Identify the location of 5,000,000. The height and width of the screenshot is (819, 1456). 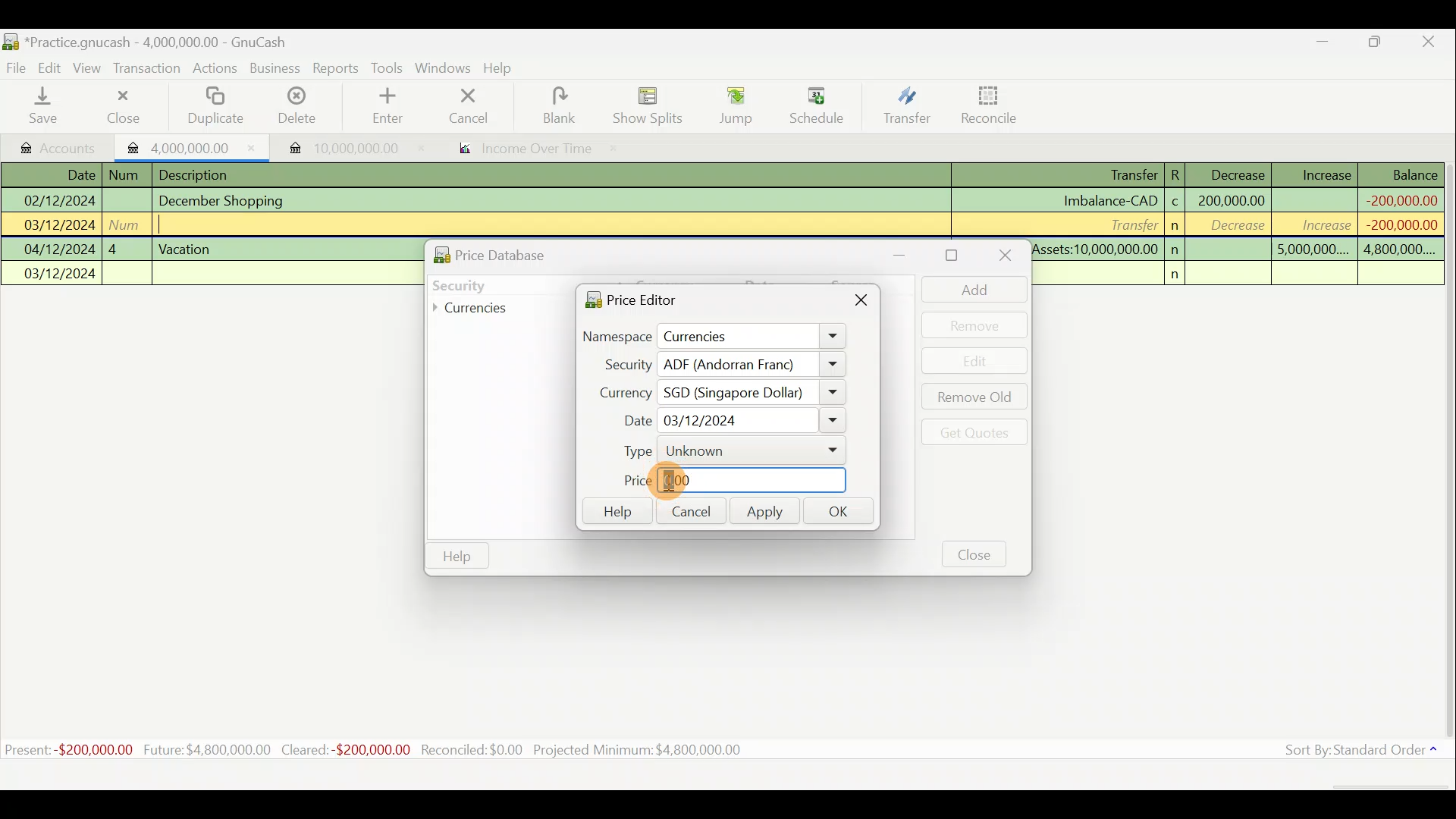
(1313, 252).